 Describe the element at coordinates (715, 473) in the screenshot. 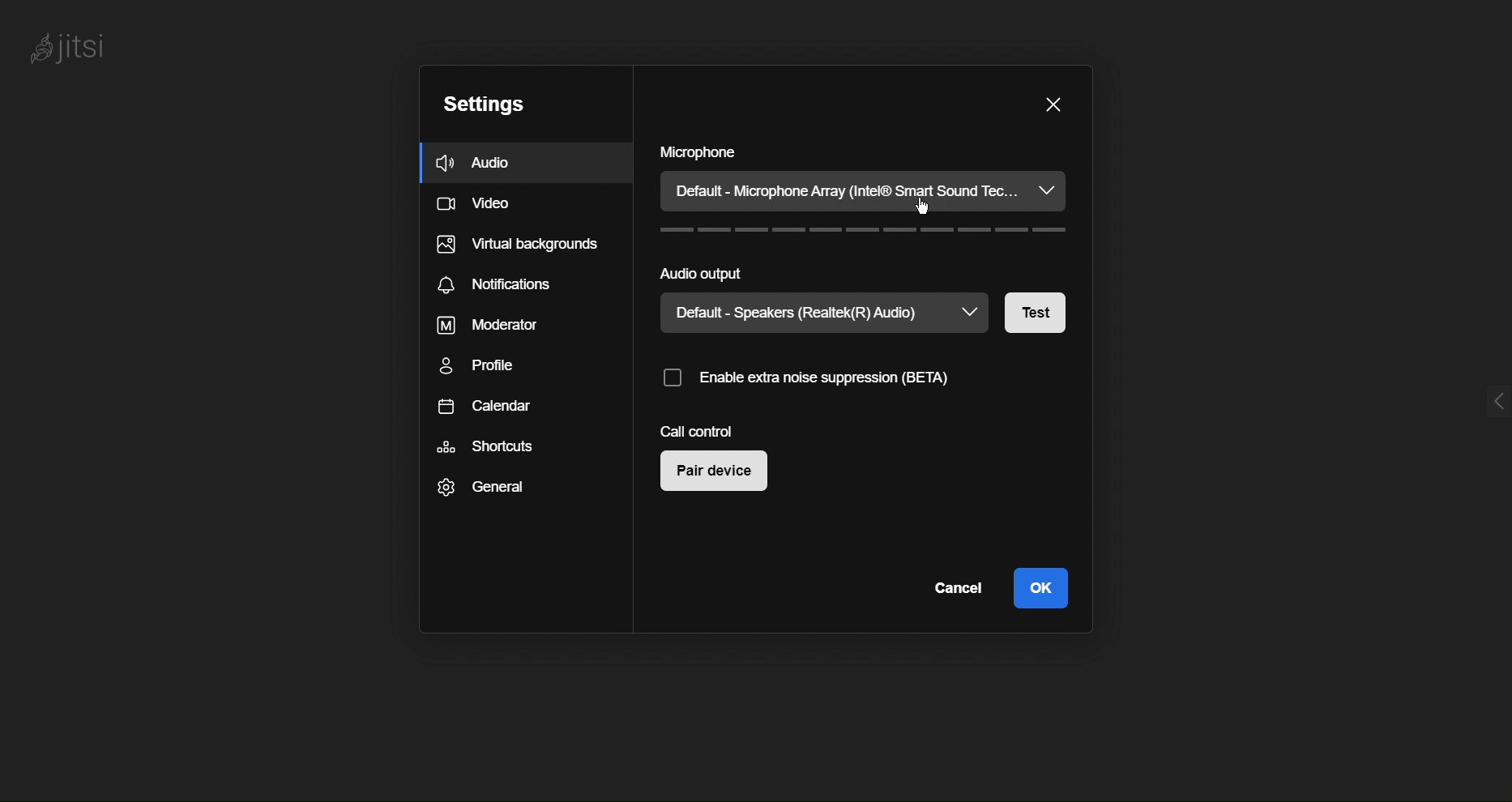

I see `Pair device` at that location.